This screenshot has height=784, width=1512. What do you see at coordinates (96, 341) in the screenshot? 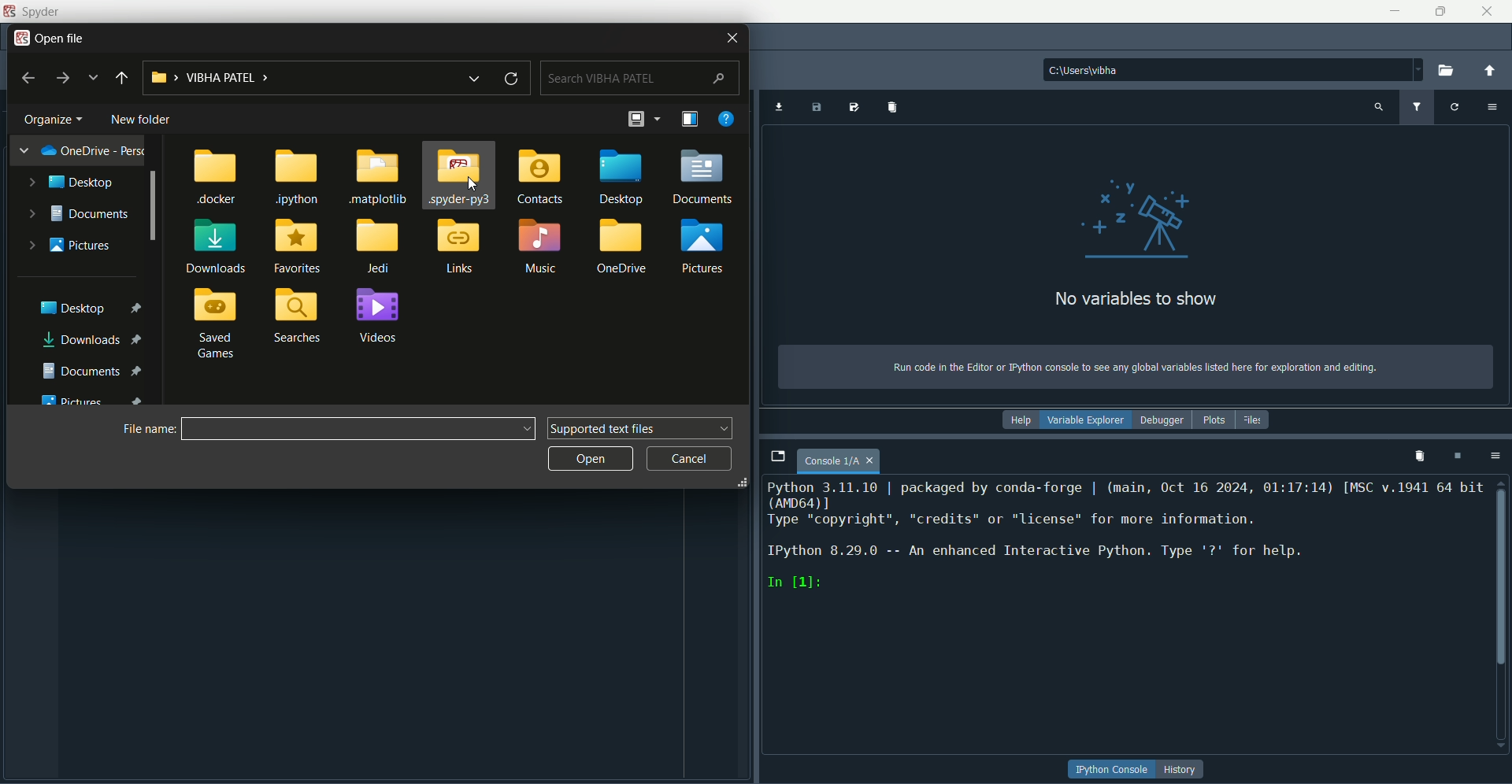
I see `downloads` at bounding box center [96, 341].